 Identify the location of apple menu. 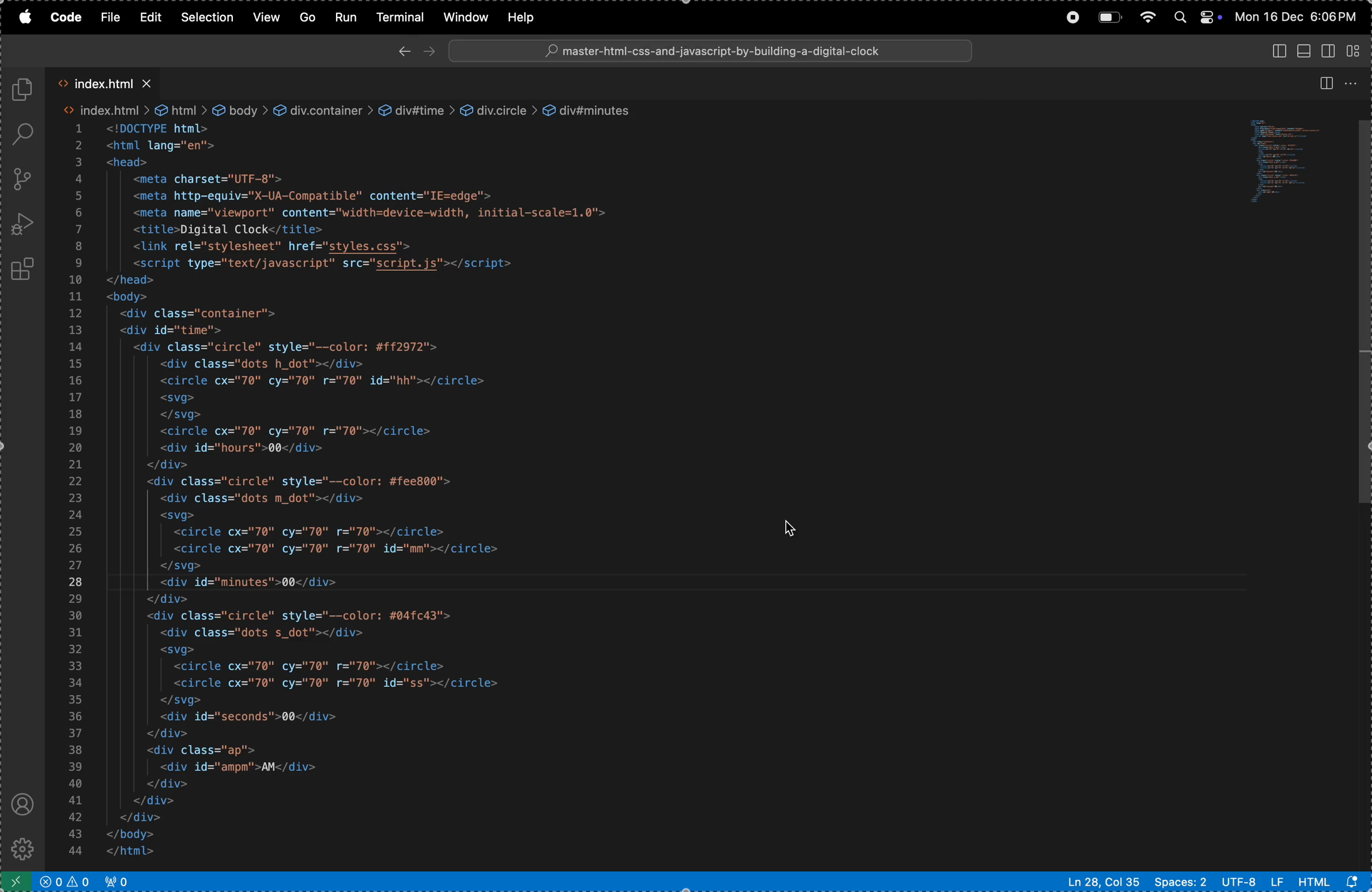
(22, 17).